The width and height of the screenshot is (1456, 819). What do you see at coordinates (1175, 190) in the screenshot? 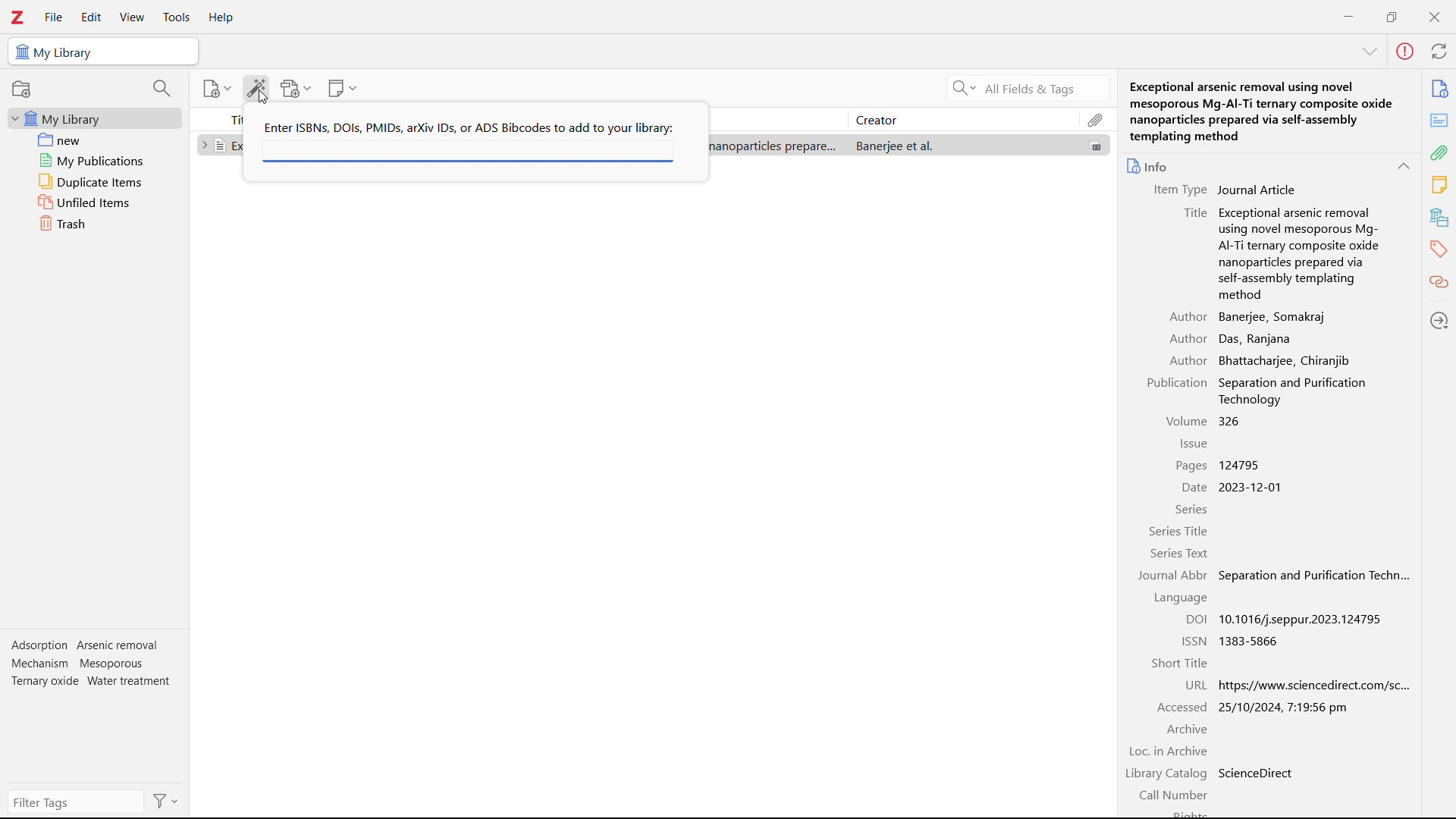
I see `Item type` at bounding box center [1175, 190].